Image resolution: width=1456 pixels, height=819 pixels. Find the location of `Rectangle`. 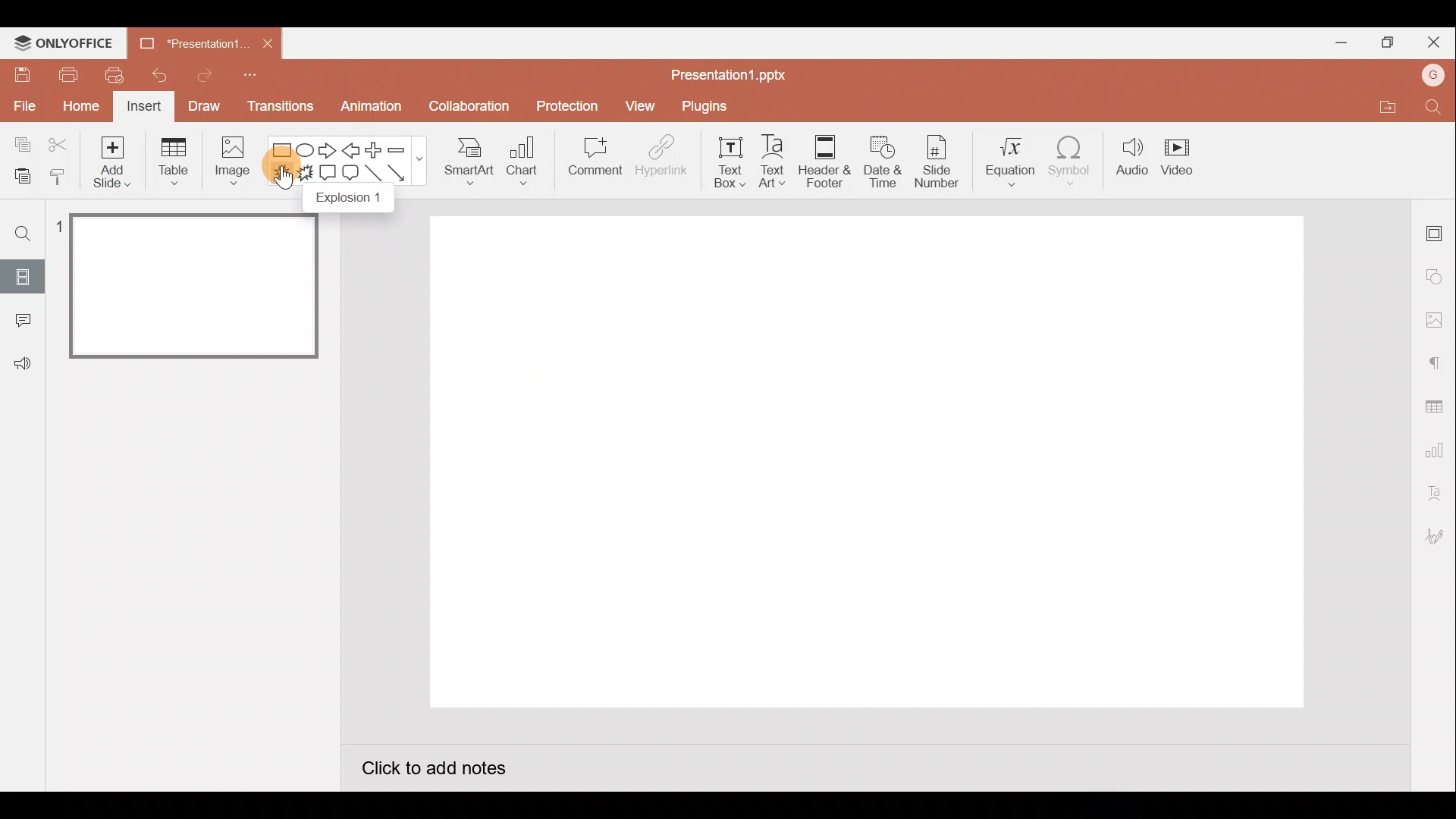

Rectangle is located at coordinates (281, 148).